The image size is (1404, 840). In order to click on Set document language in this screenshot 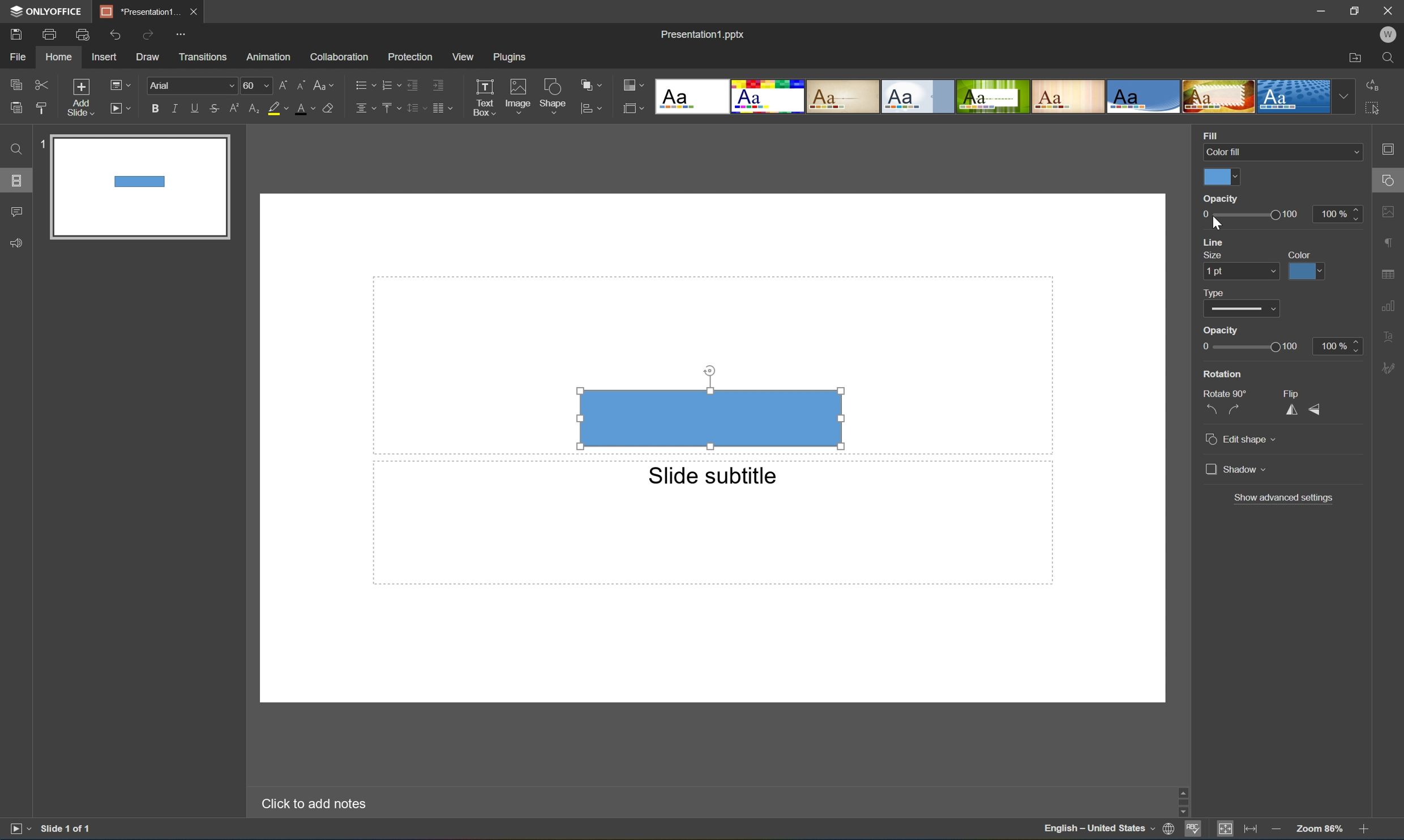, I will do `click(1168, 830)`.